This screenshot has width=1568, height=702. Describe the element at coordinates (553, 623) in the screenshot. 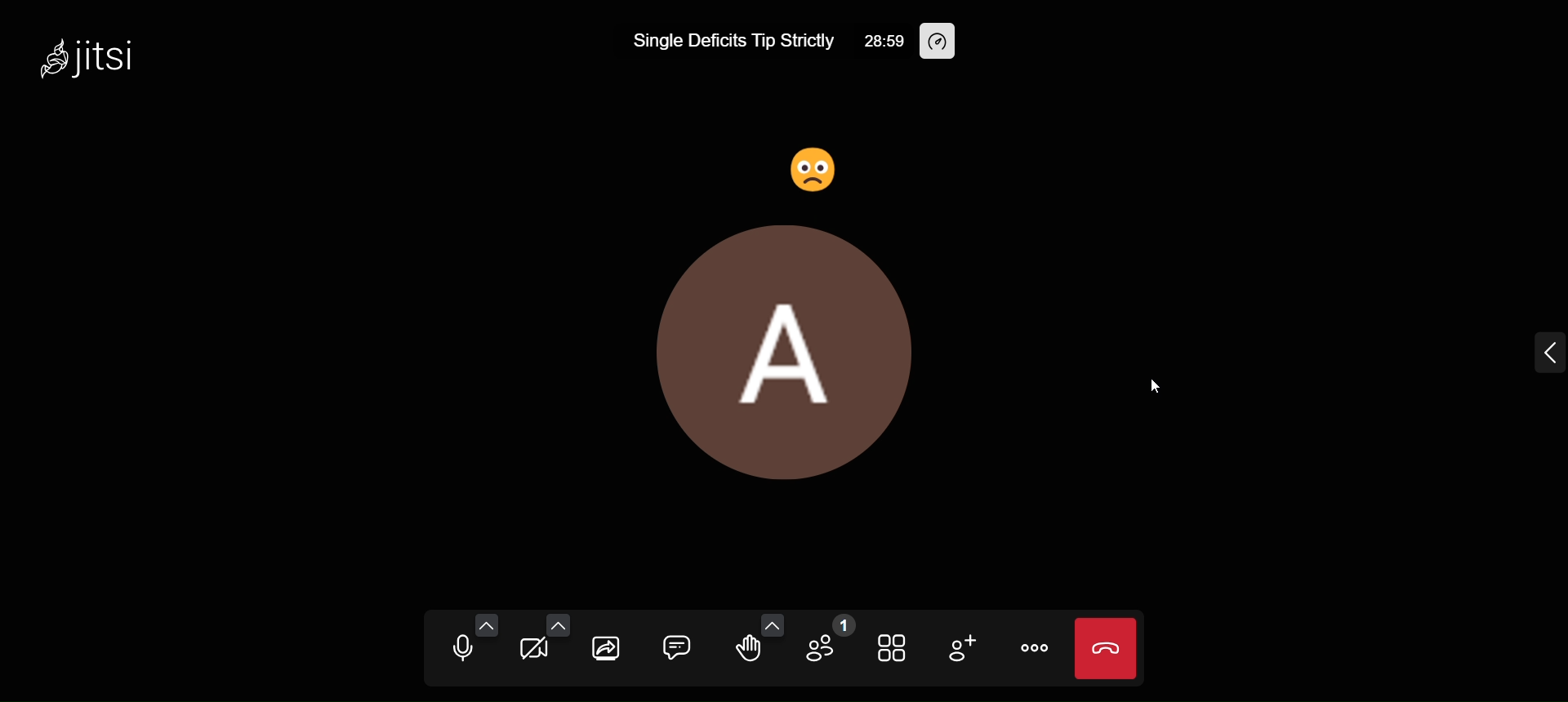

I see `video setting` at that location.